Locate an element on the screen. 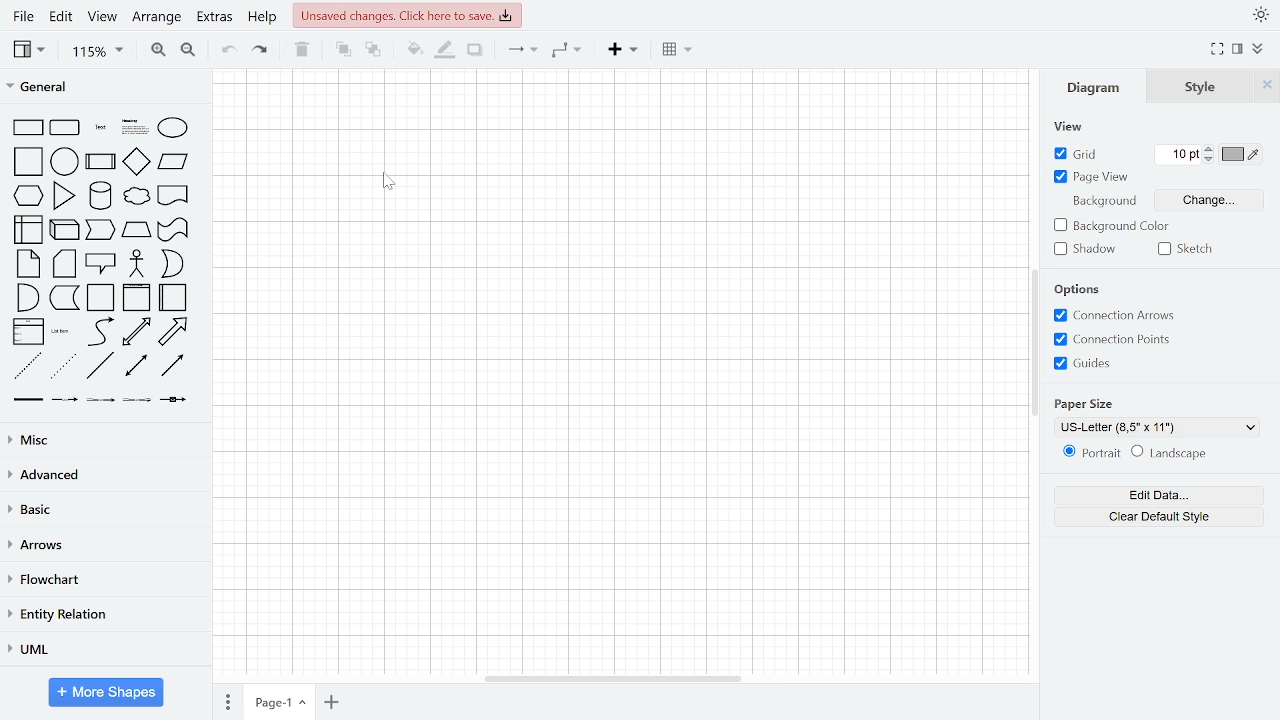  grid color is located at coordinates (1245, 154).